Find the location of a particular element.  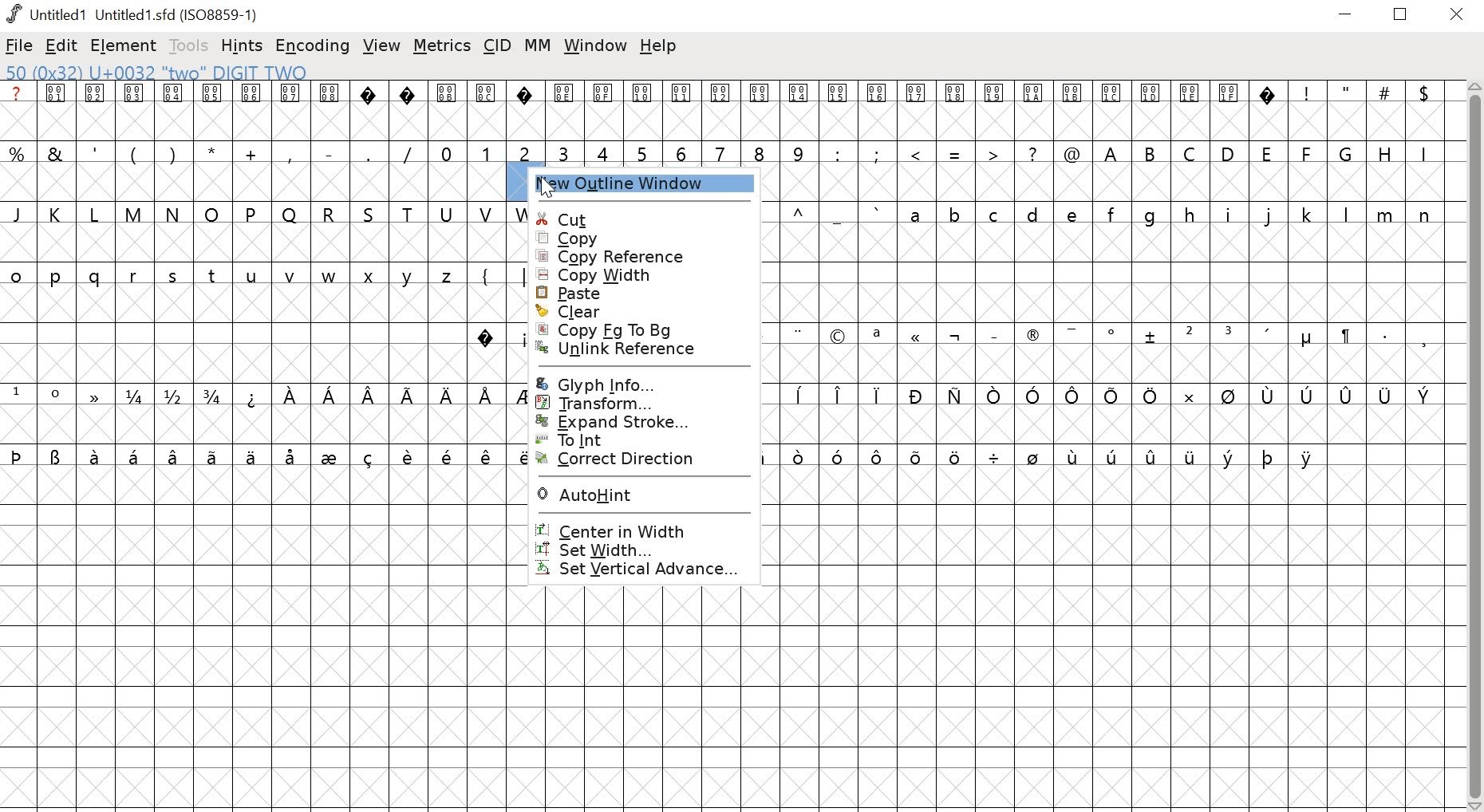

tools is located at coordinates (189, 46).